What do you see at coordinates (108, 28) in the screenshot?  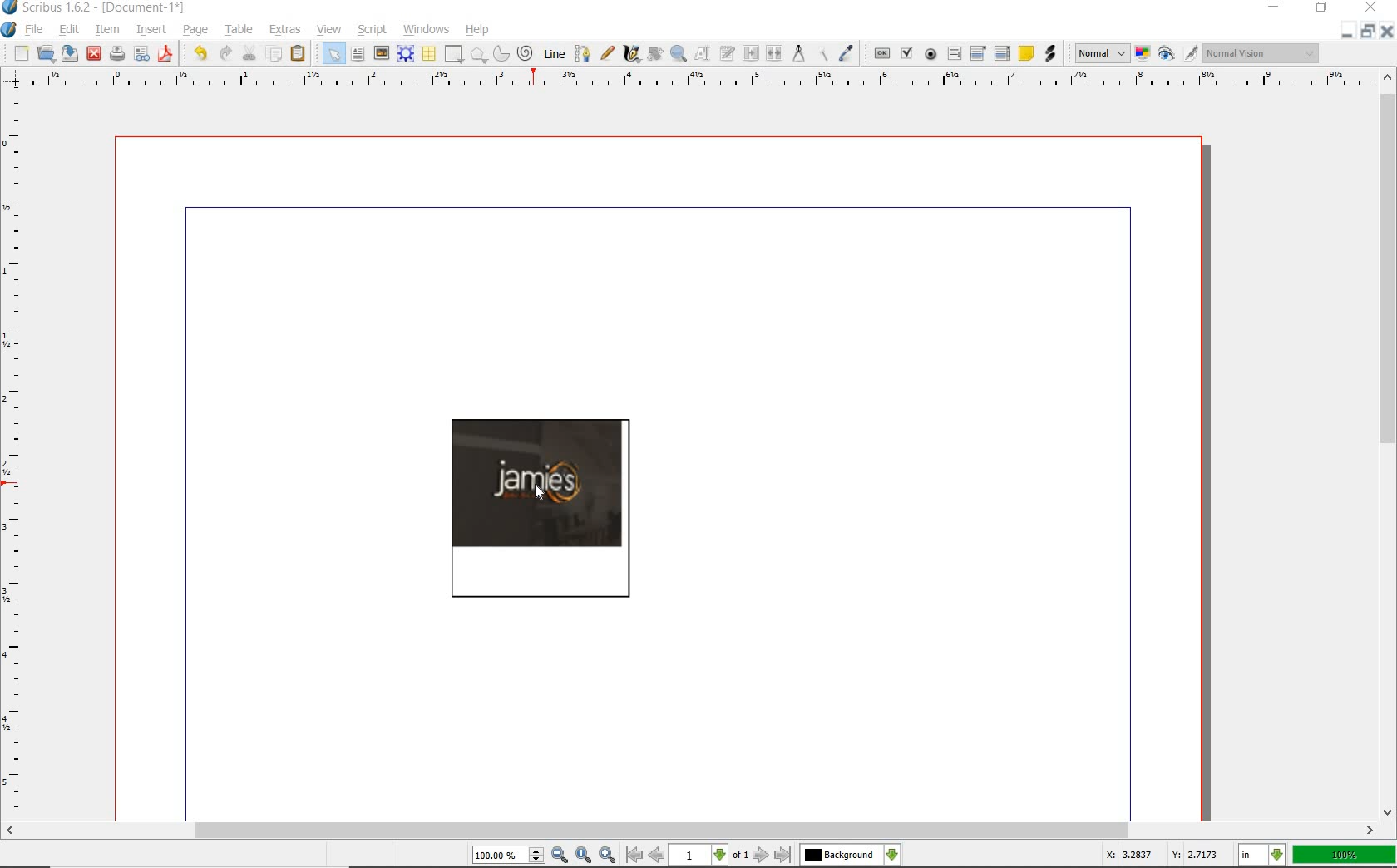 I see `item` at bounding box center [108, 28].